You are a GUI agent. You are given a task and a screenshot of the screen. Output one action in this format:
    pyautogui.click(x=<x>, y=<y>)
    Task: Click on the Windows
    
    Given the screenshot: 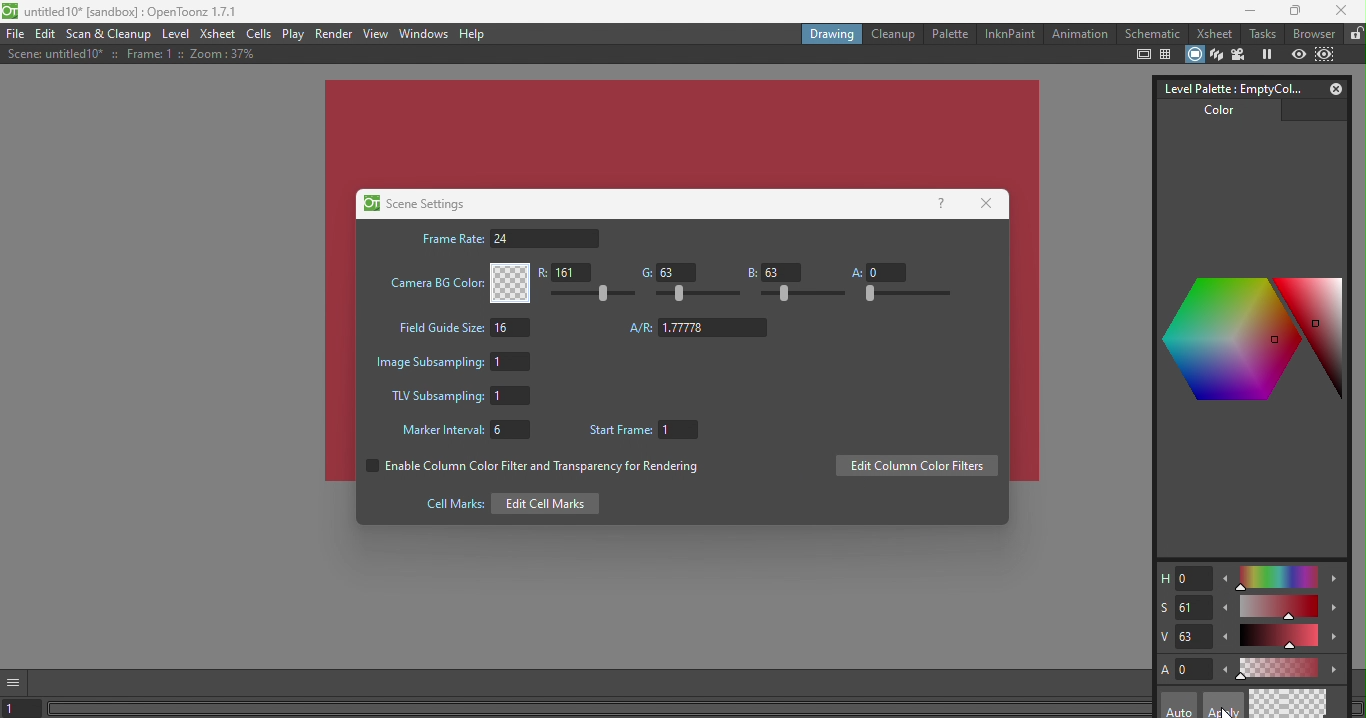 What is the action you would take?
    pyautogui.click(x=422, y=34)
    